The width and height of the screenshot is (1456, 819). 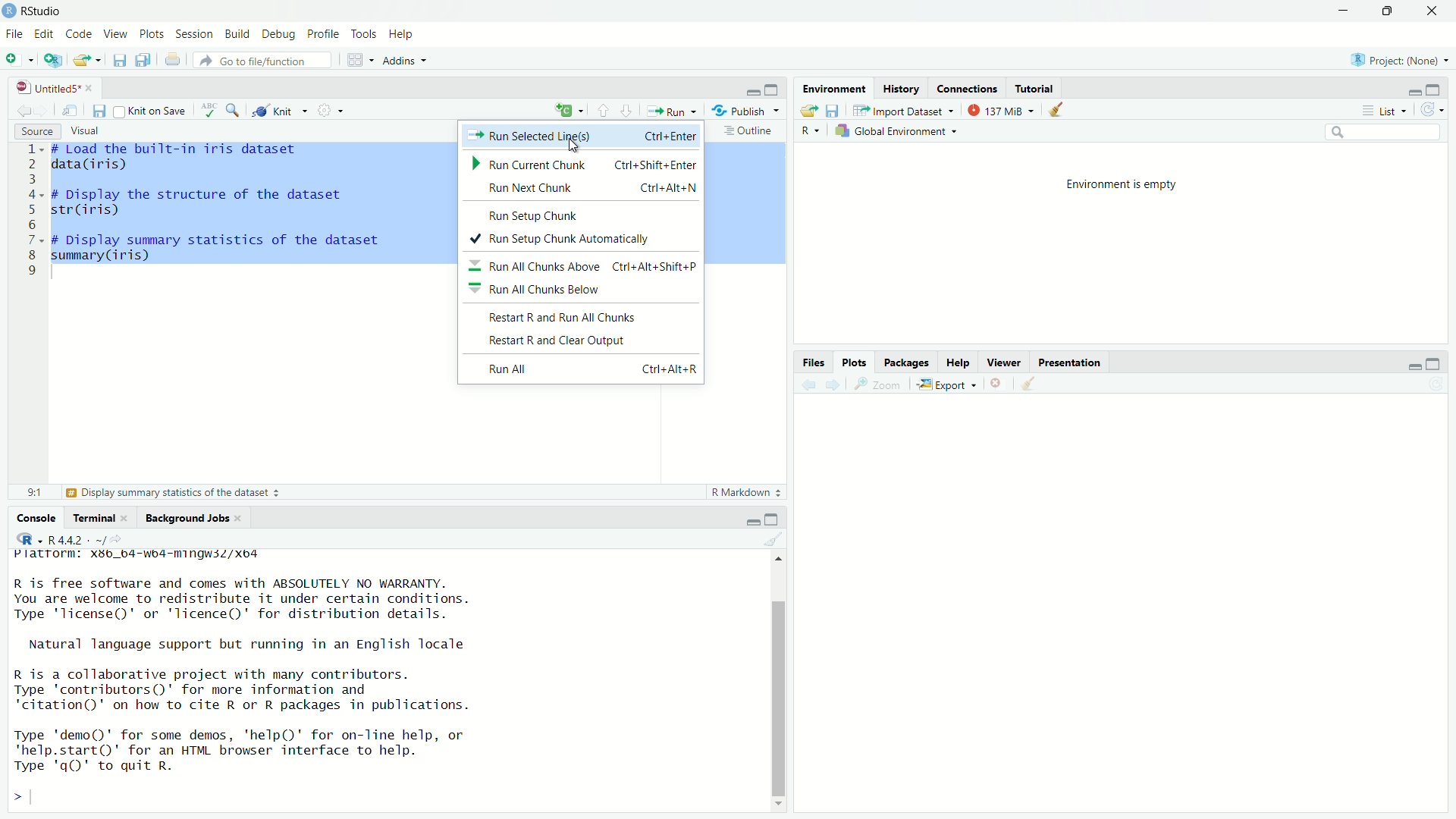 I want to click on Import Dataset, so click(x=903, y=109).